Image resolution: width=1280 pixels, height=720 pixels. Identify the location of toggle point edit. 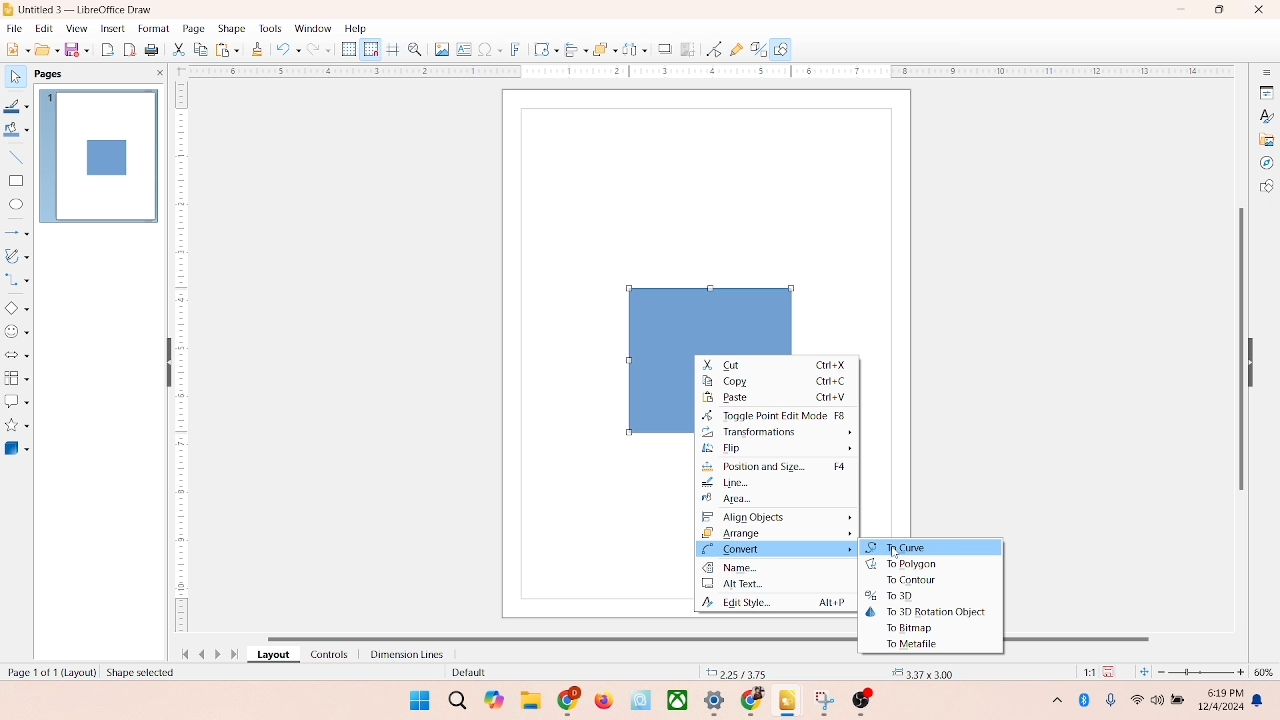
(775, 415).